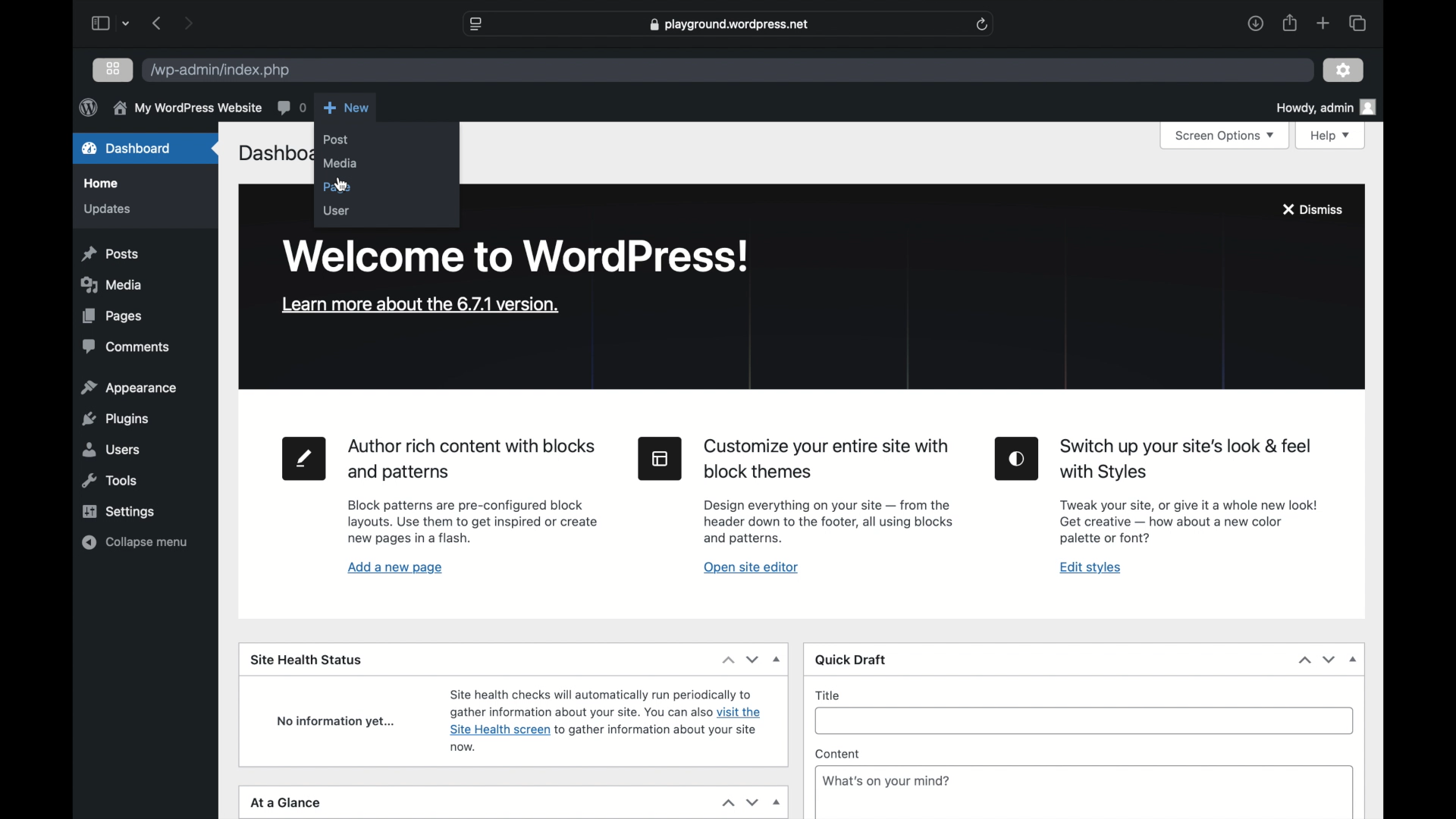  I want to click on tools, so click(110, 481).